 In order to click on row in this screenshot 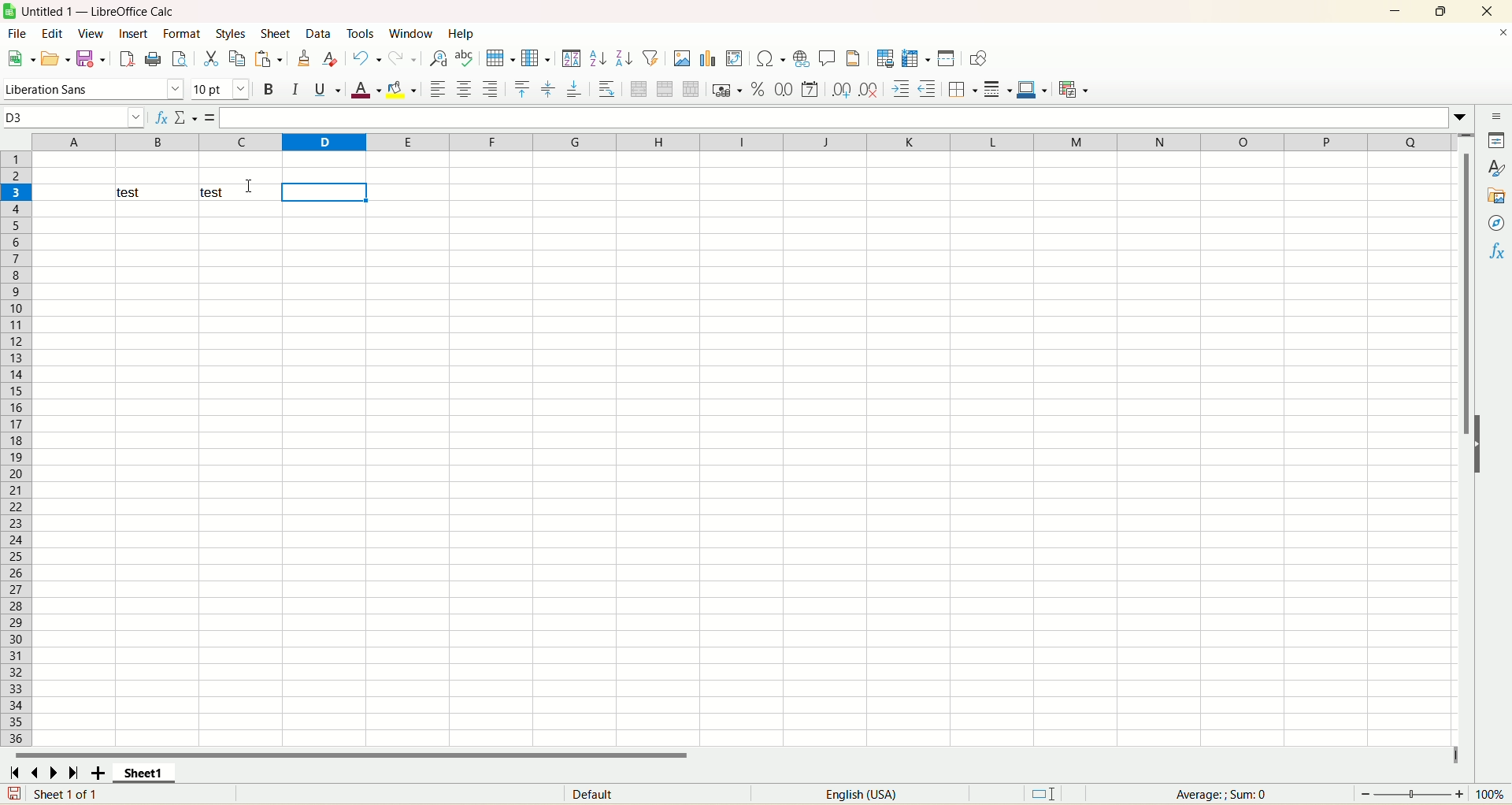, I will do `click(499, 58)`.